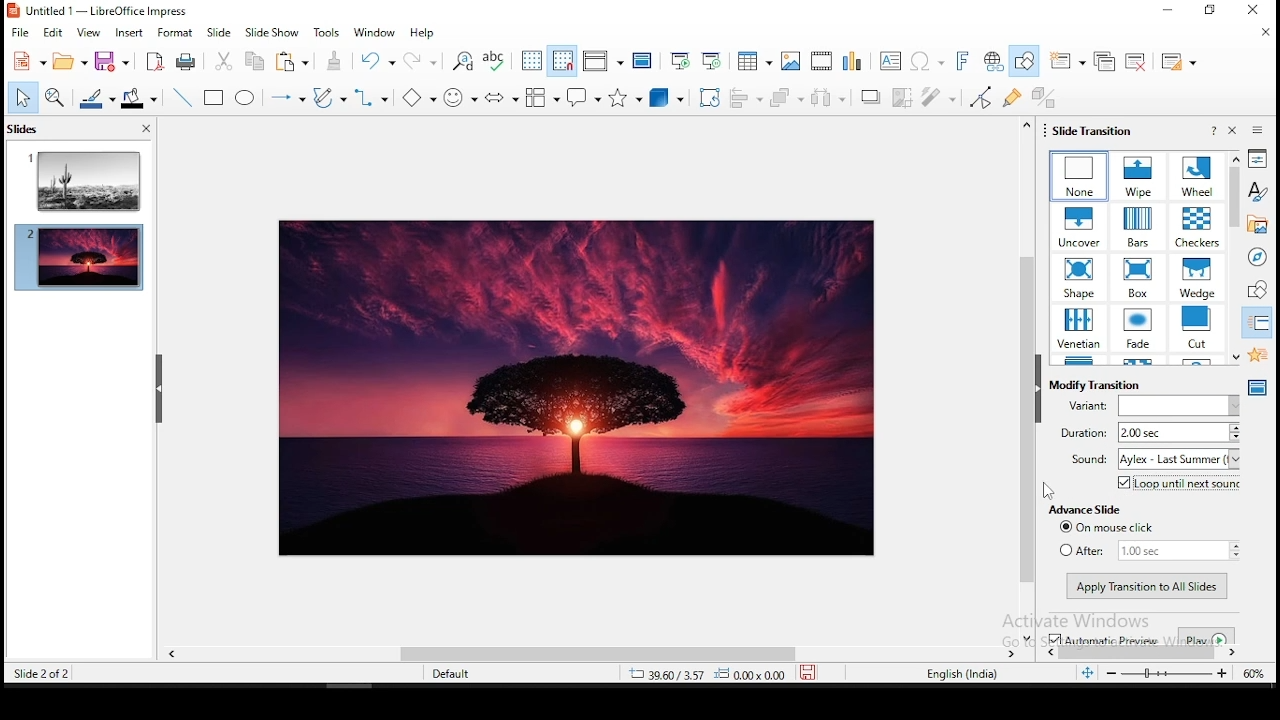 The height and width of the screenshot is (720, 1280). I want to click on stars and banners, so click(627, 97).